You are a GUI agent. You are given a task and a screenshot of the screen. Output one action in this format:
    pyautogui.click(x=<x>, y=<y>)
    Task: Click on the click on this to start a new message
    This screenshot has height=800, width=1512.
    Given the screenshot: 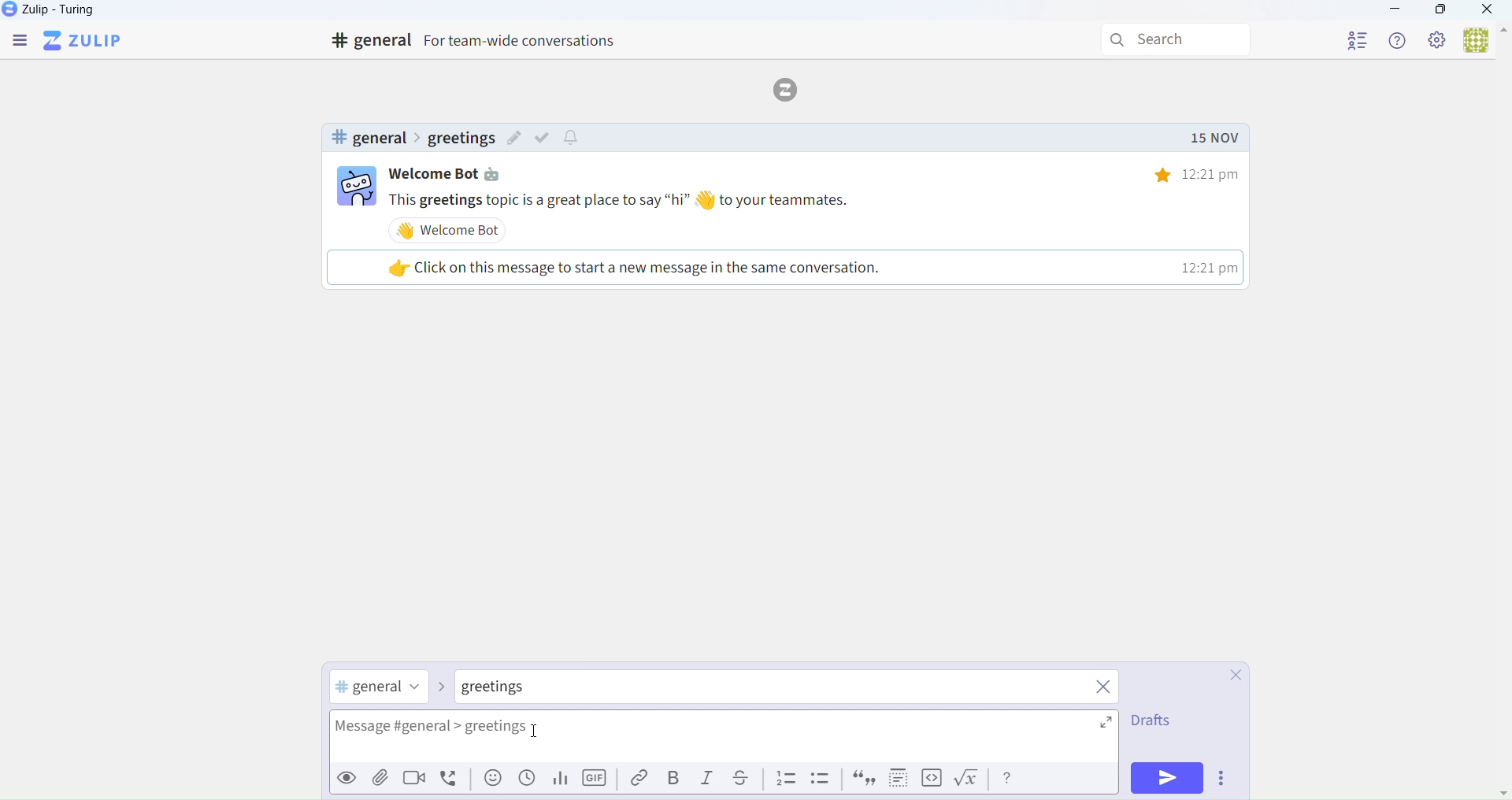 What is the action you would take?
    pyautogui.click(x=782, y=267)
    